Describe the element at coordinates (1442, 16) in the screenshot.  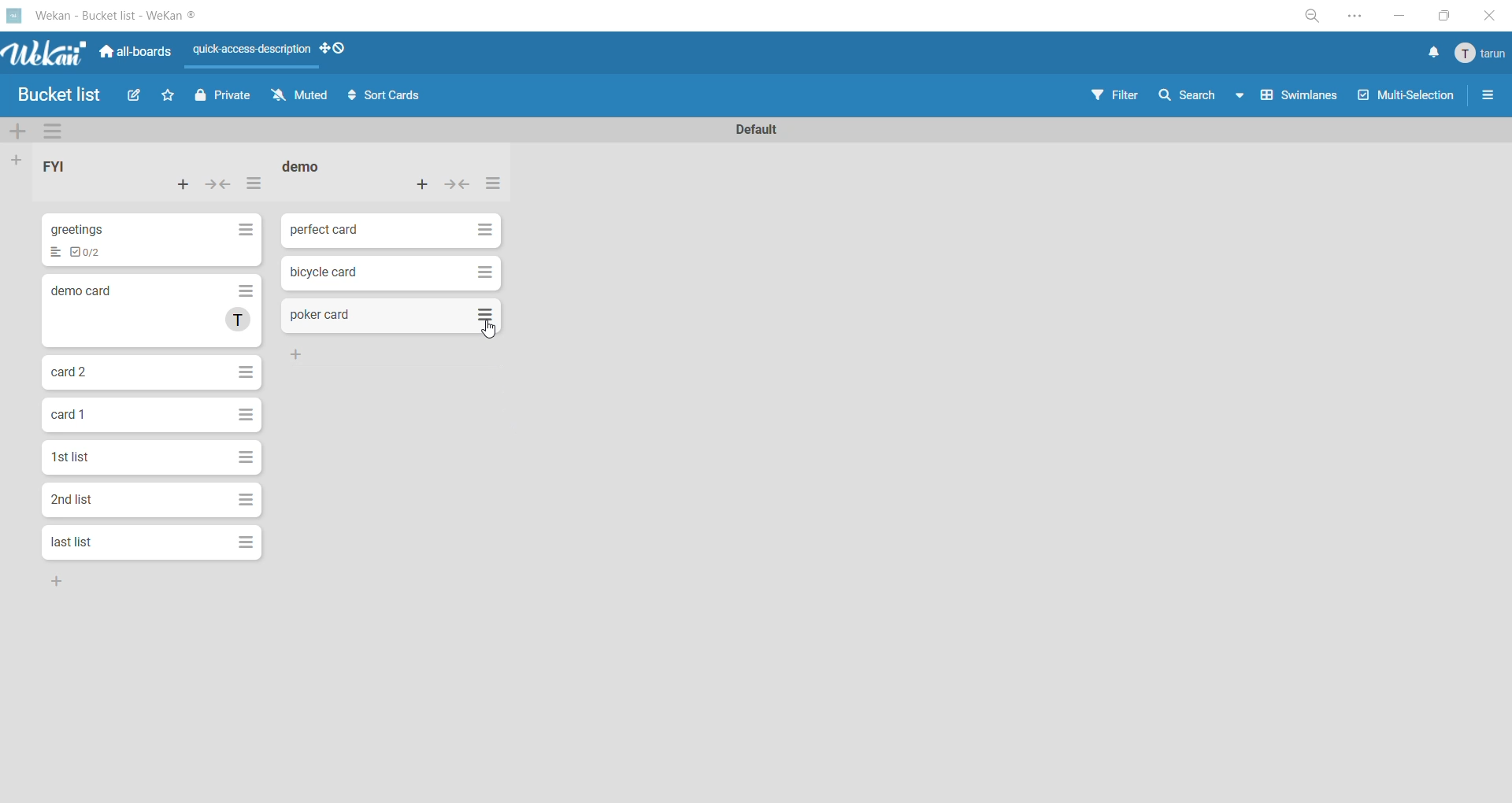
I see `maximize` at that location.